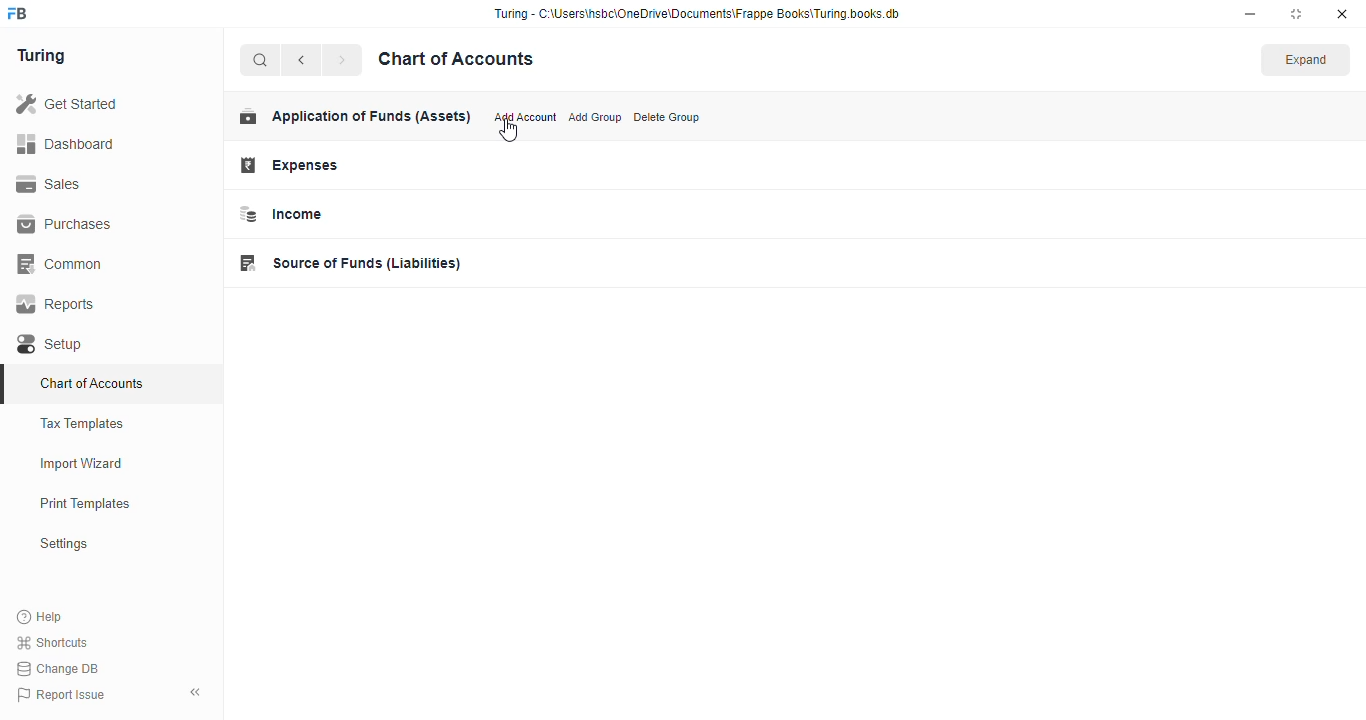 The width and height of the screenshot is (1366, 720). I want to click on chart of accounts, so click(92, 383).